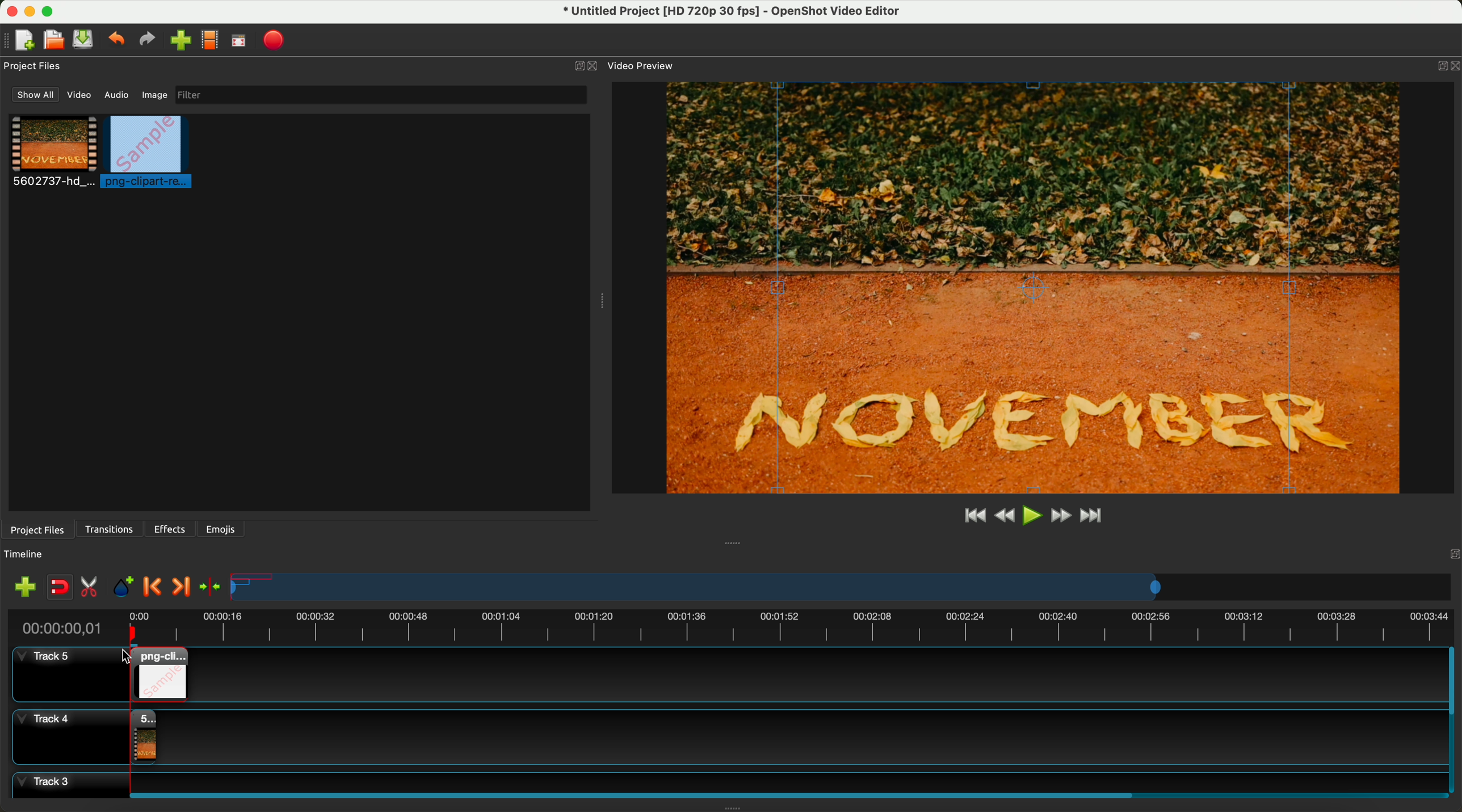  What do you see at coordinates (240, 43) in the screenshot?
I see `full screen` at bounding box center [240, 43].